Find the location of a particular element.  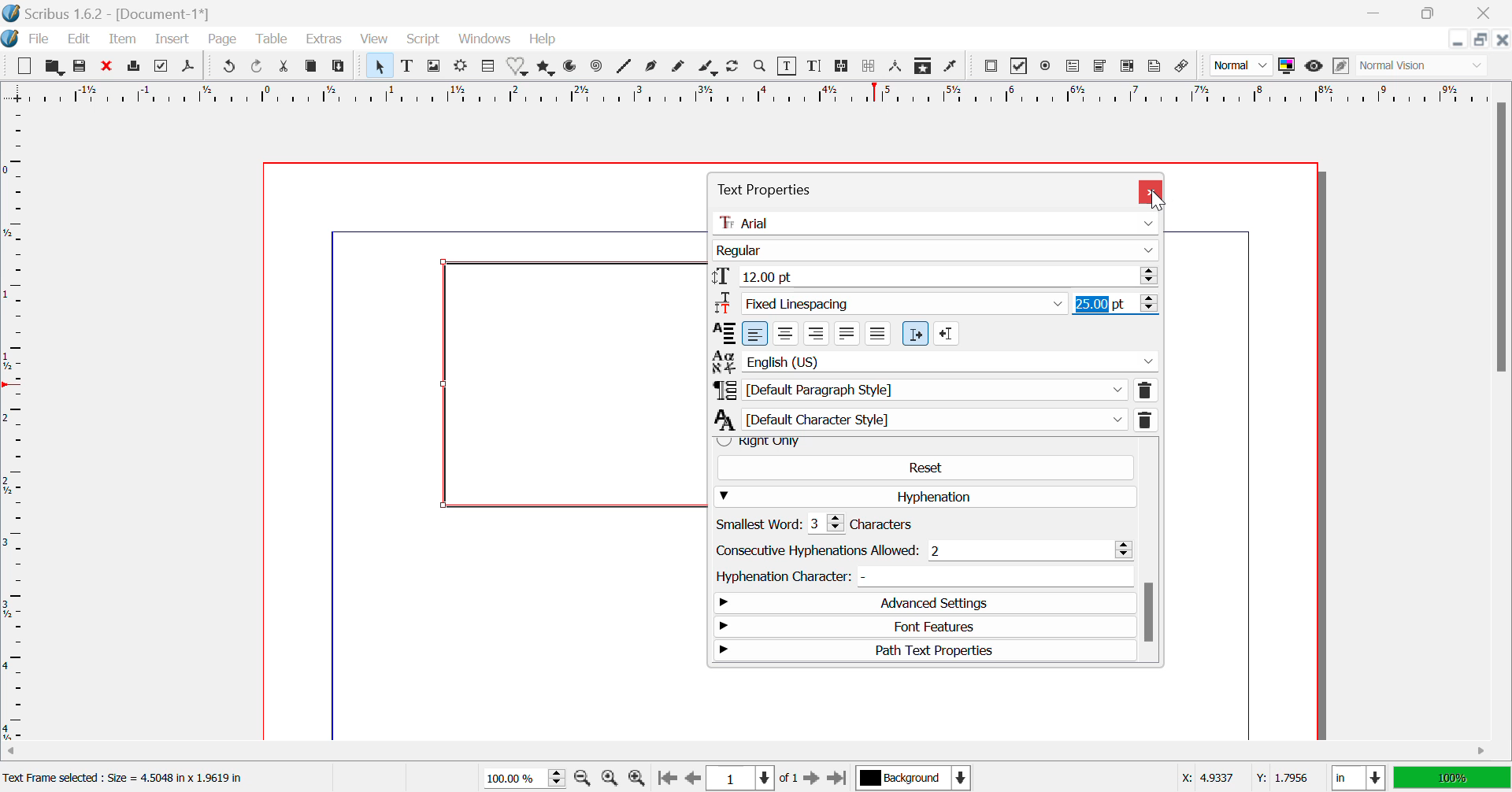

File is located at coordinates (39, 39).